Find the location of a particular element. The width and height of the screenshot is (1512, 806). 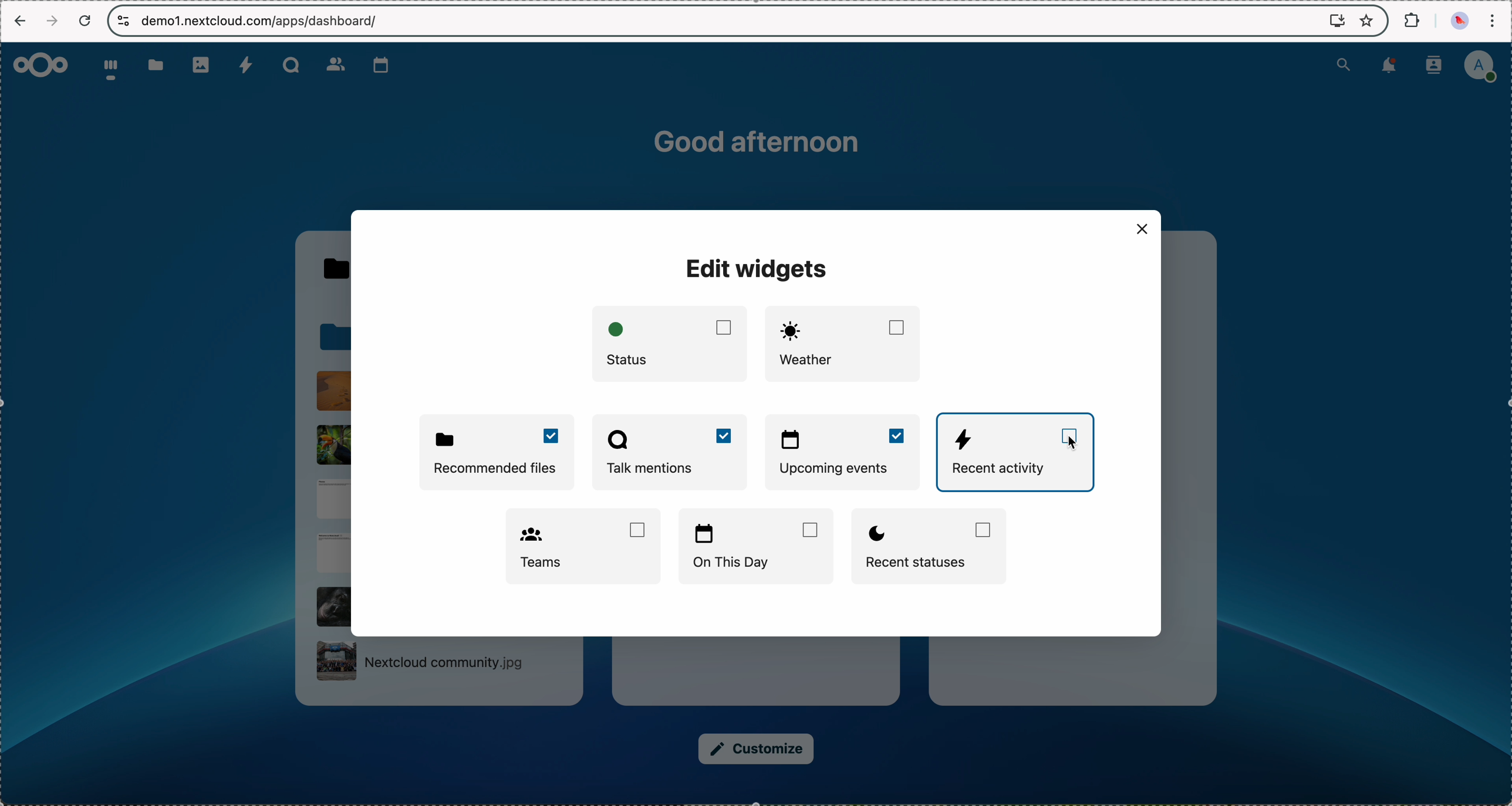

profile picture is located at coordinates (1458, 23).